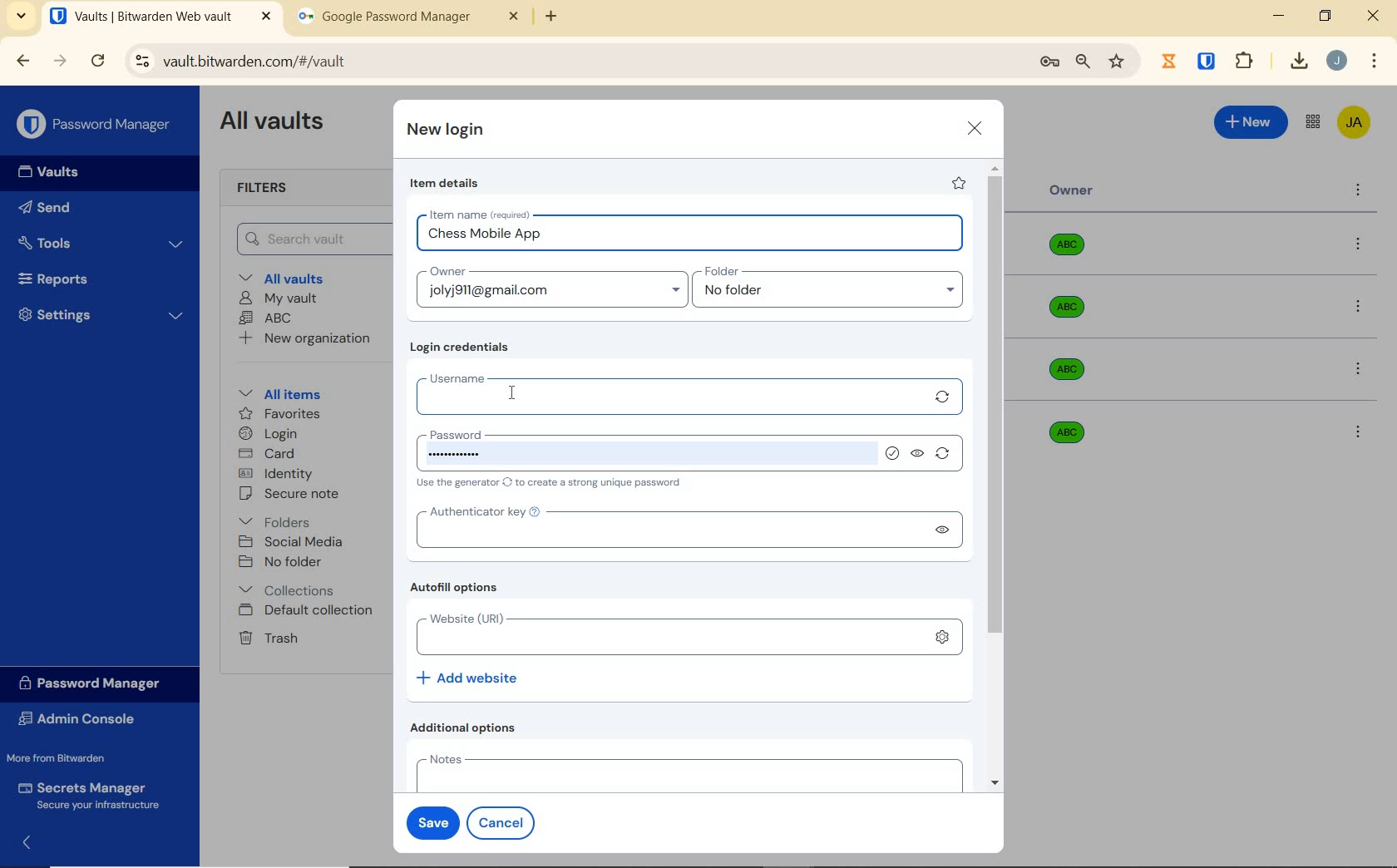 This screenshot has height=868, width=1397. Describe the element at coordinates (53, 172) in the screenshot. I see `Vaults` at that location.